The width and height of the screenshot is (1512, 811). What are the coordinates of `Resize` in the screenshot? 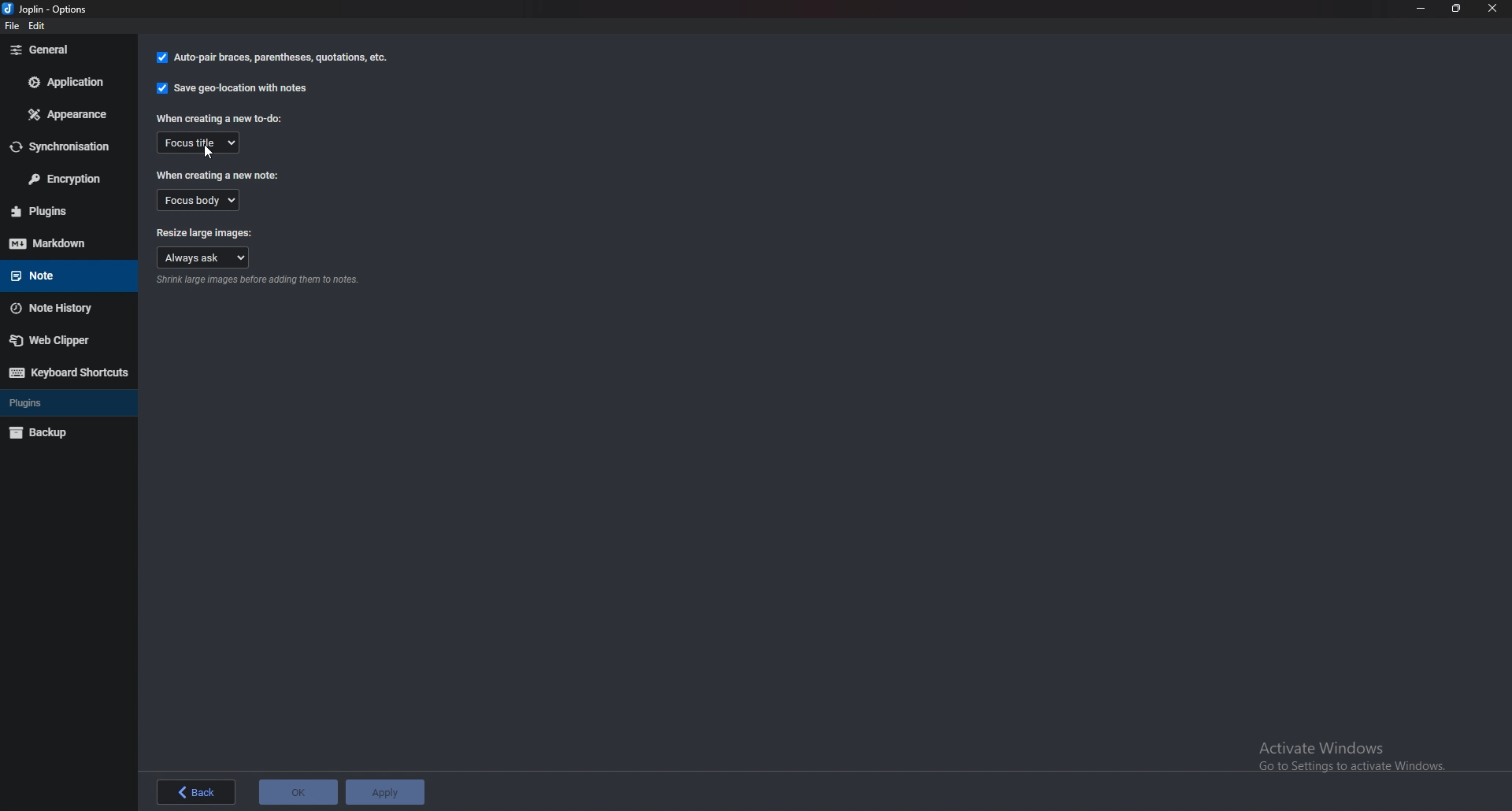 It's located at (1456, 8).